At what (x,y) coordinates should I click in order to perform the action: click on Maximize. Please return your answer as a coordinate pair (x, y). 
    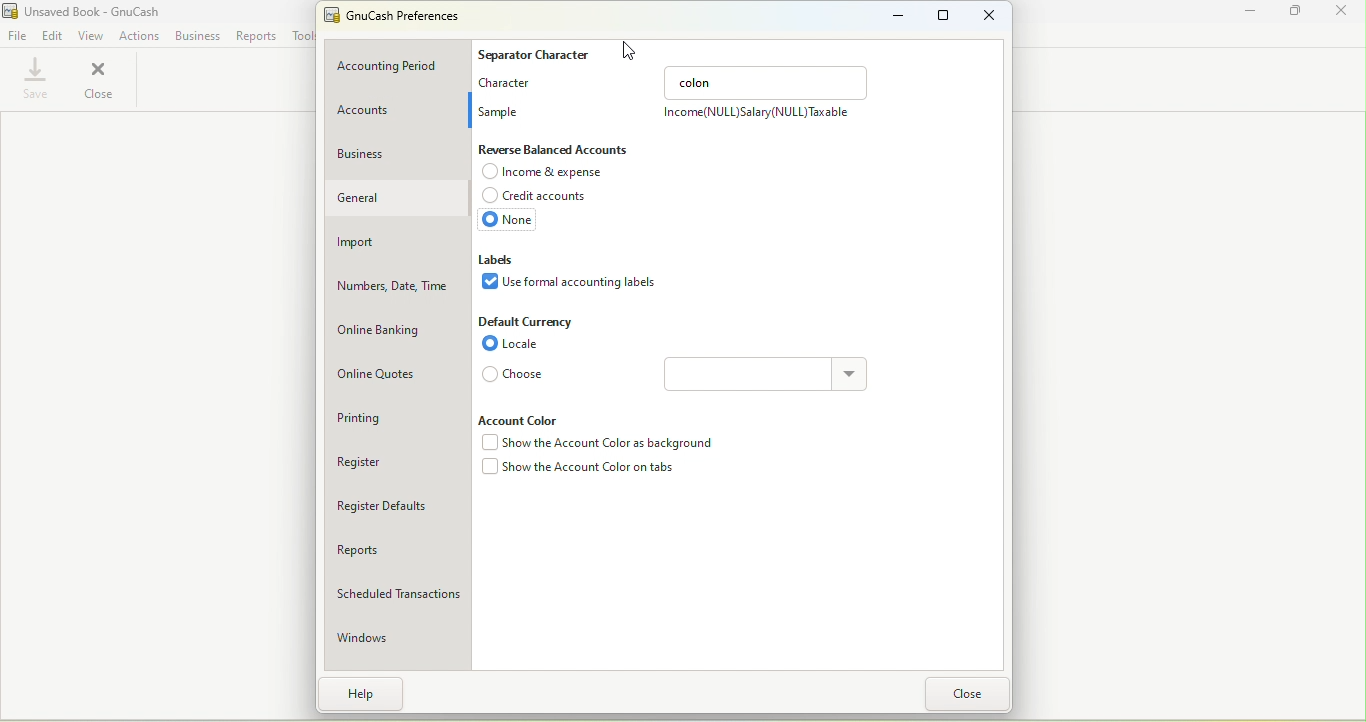
    Looking at the image, I should click on (1301, 15).